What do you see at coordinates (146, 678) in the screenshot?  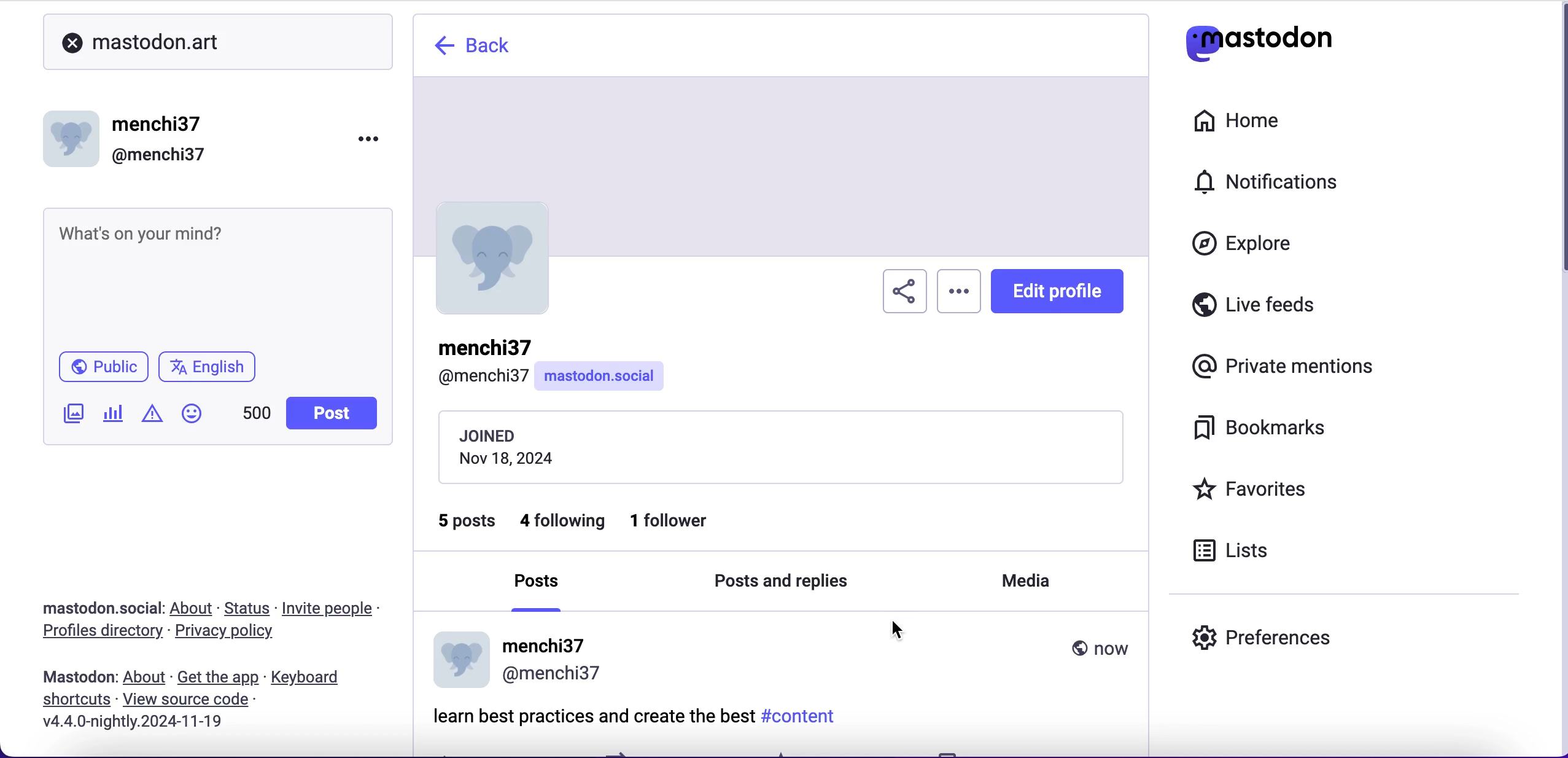 I see `about` at bounding box center [146, 678].